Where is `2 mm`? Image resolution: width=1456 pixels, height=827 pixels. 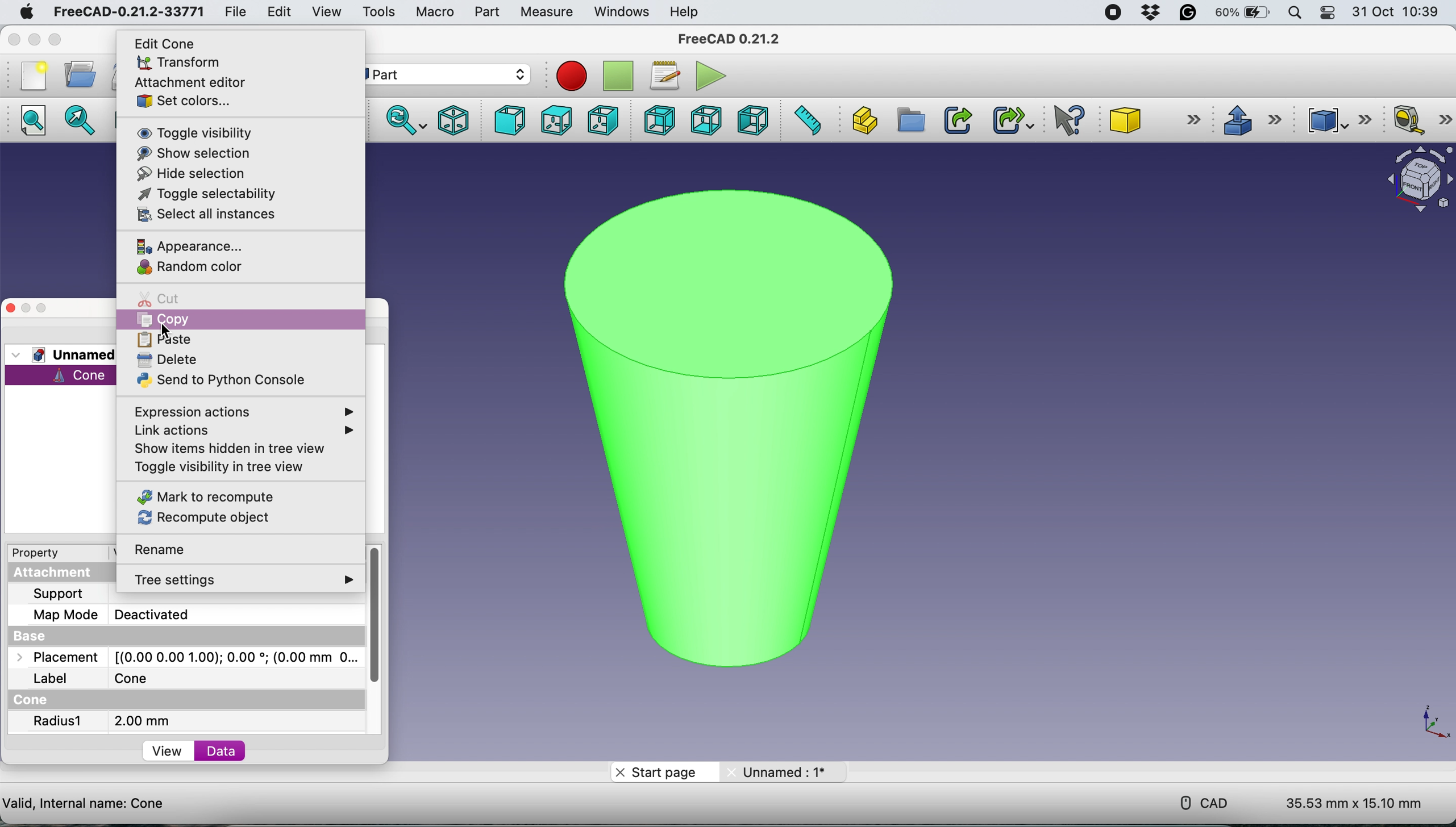 2 mm is located at coordinates (142, 721).